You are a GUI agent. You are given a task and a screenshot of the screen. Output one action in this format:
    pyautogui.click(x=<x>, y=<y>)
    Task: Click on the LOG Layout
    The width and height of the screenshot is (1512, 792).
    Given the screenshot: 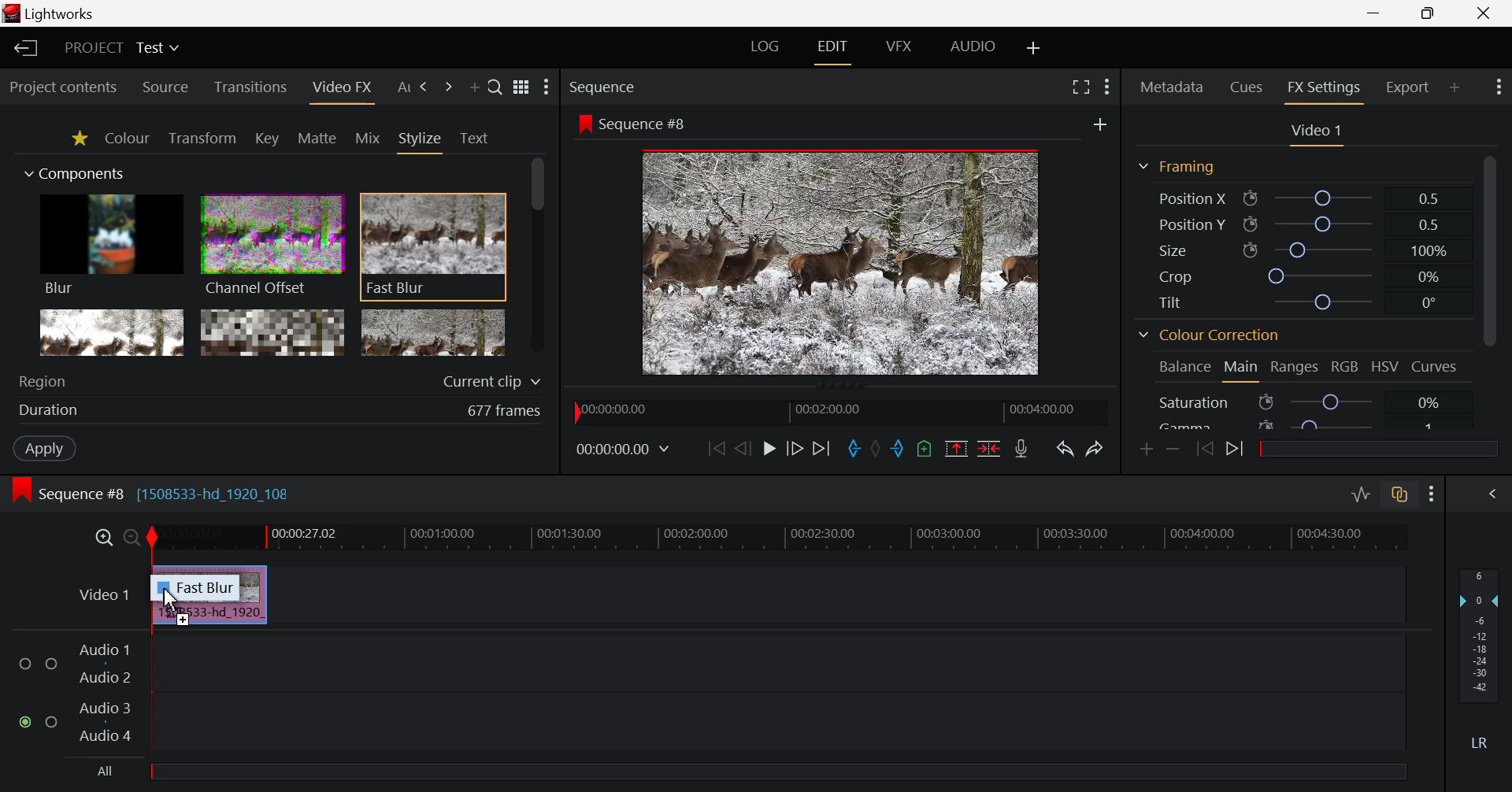 What is the action you would take?
    pyautogui.click(x=765, y=50)
    